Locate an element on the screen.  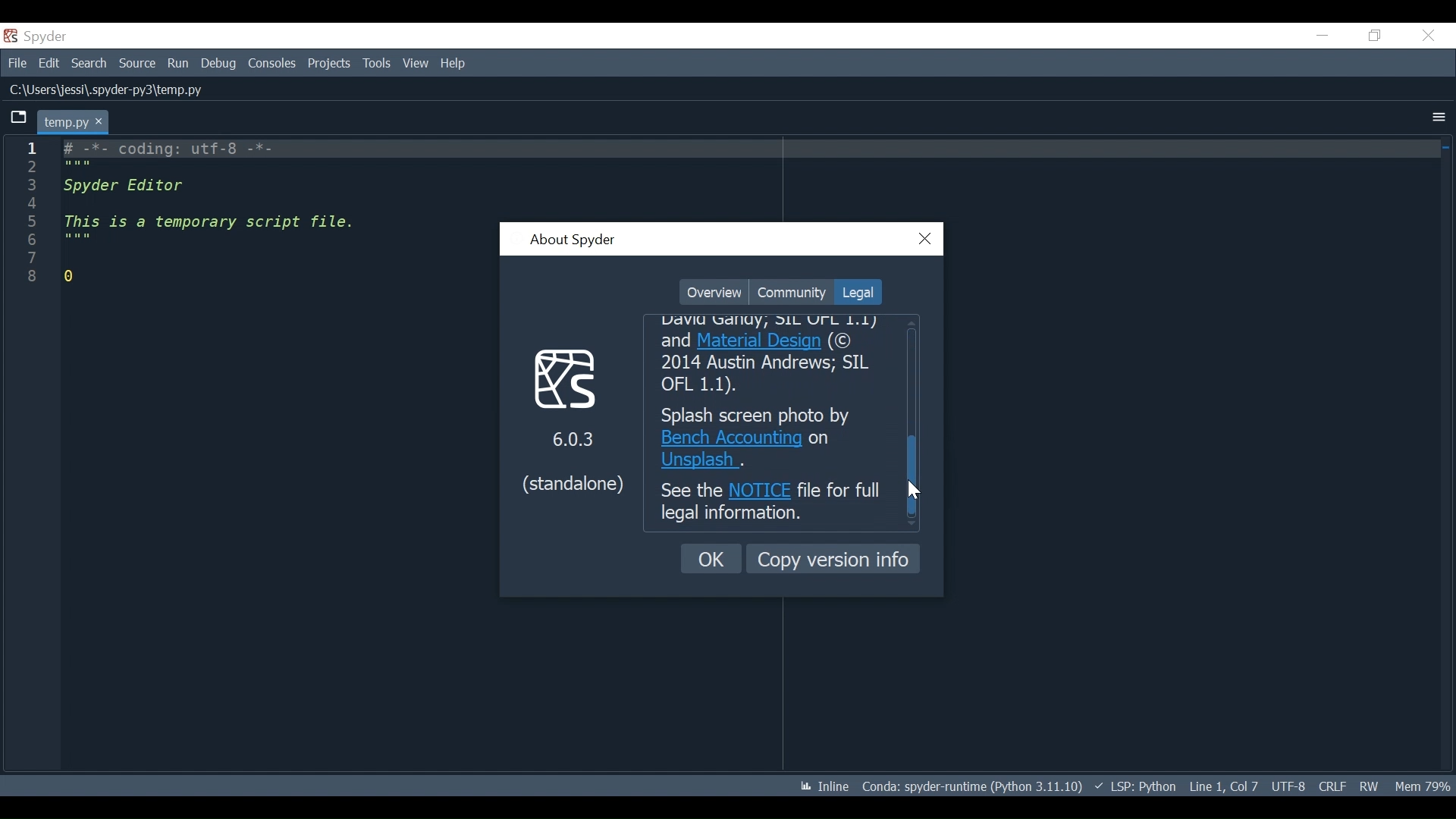
UTF-8 is located at coordinates (1291, 785).